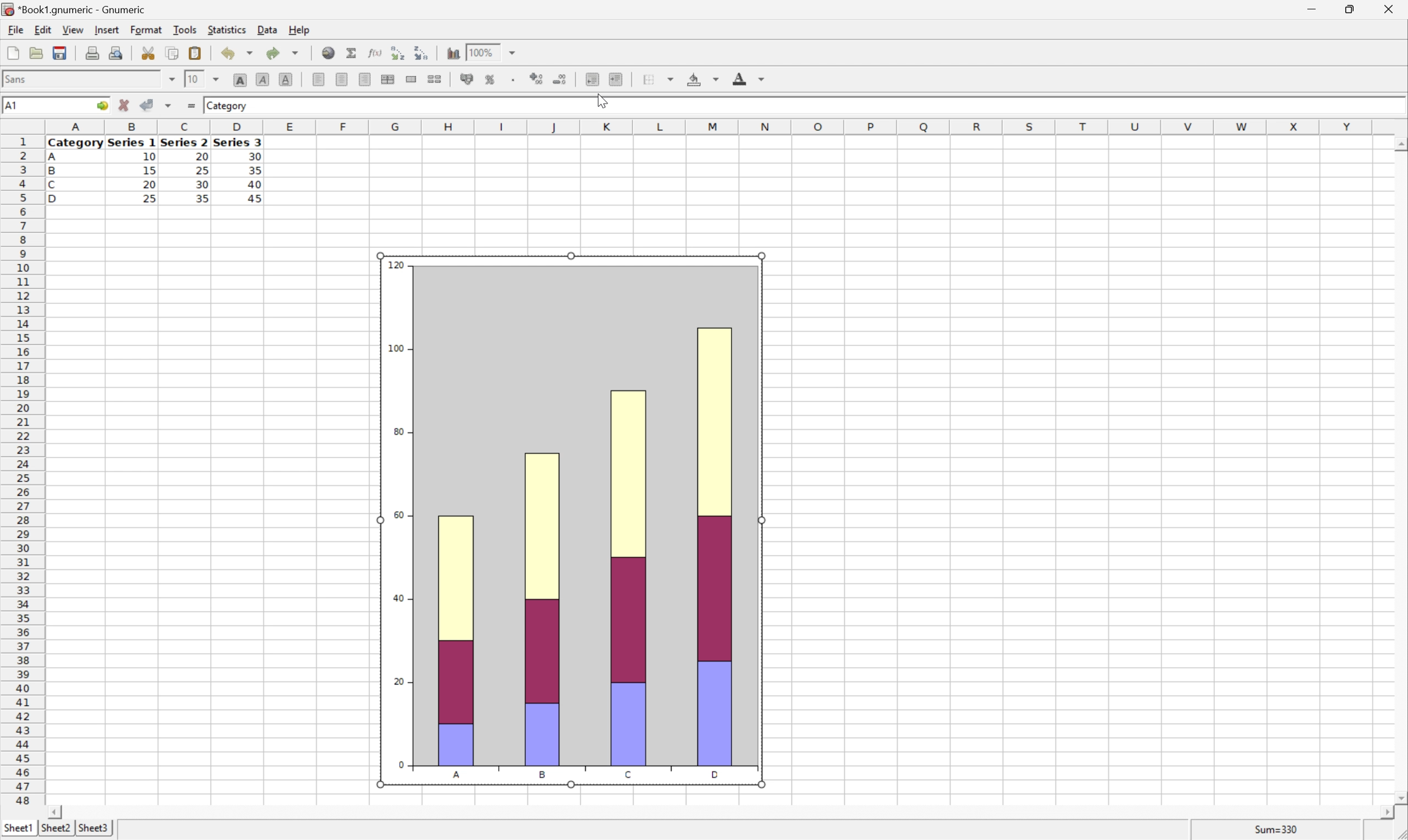 The width and height of the screenshot is (1408, 840). I want to click on Borders, so click(661, 78).